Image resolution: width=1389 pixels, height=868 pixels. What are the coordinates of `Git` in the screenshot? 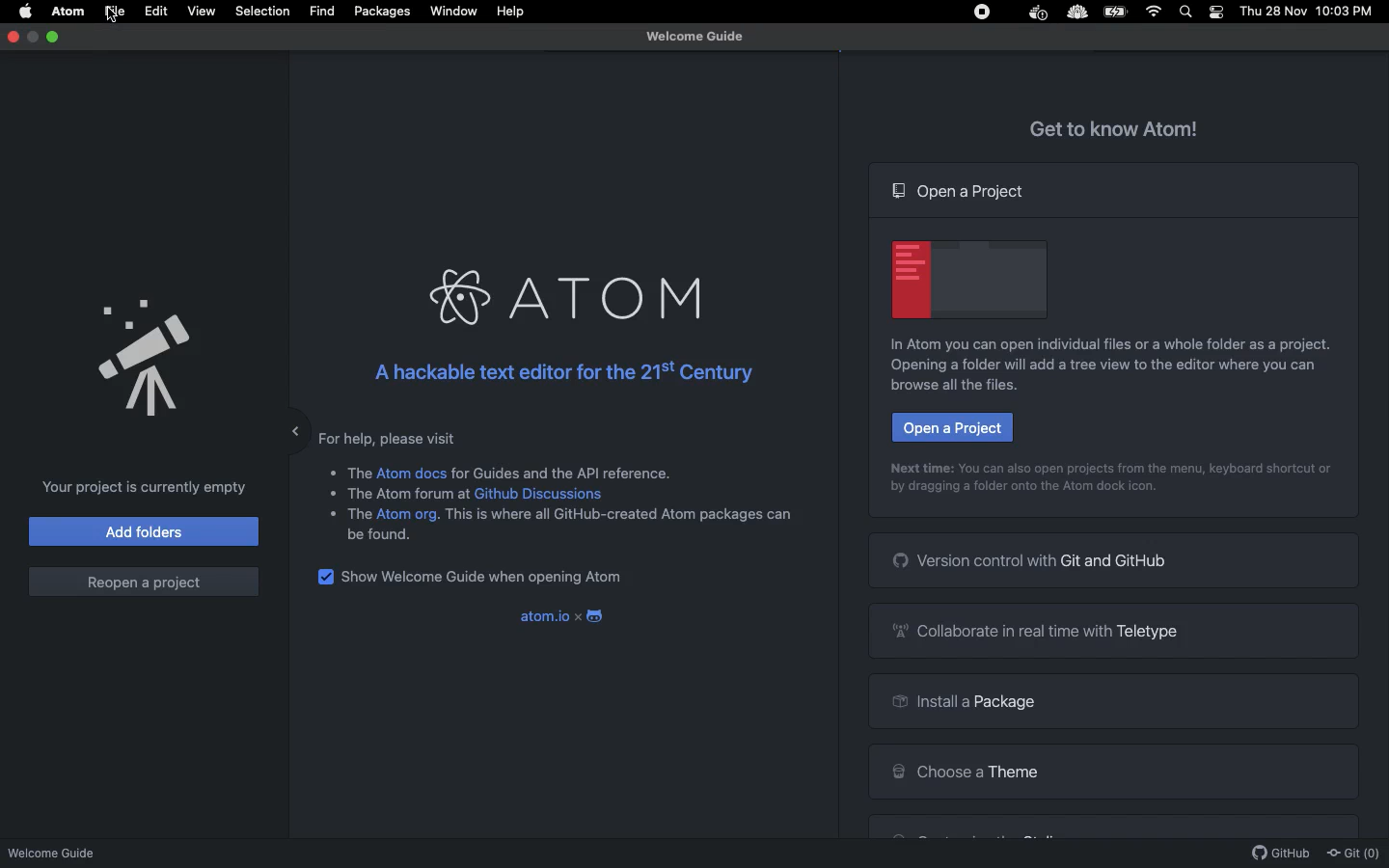 It's located at (1352, 854).